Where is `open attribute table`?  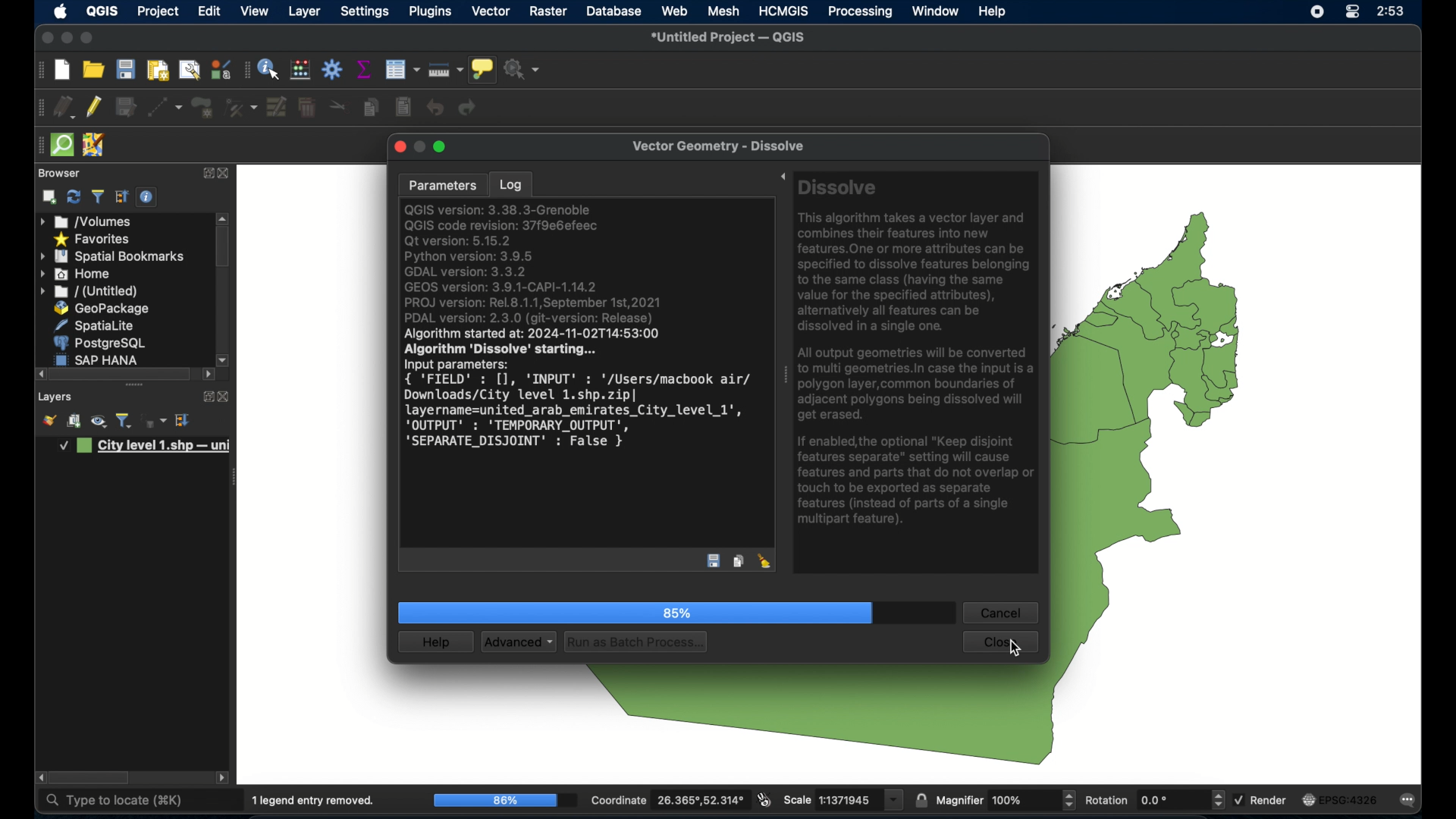
open attribute table is located at coordinates (402, 69).